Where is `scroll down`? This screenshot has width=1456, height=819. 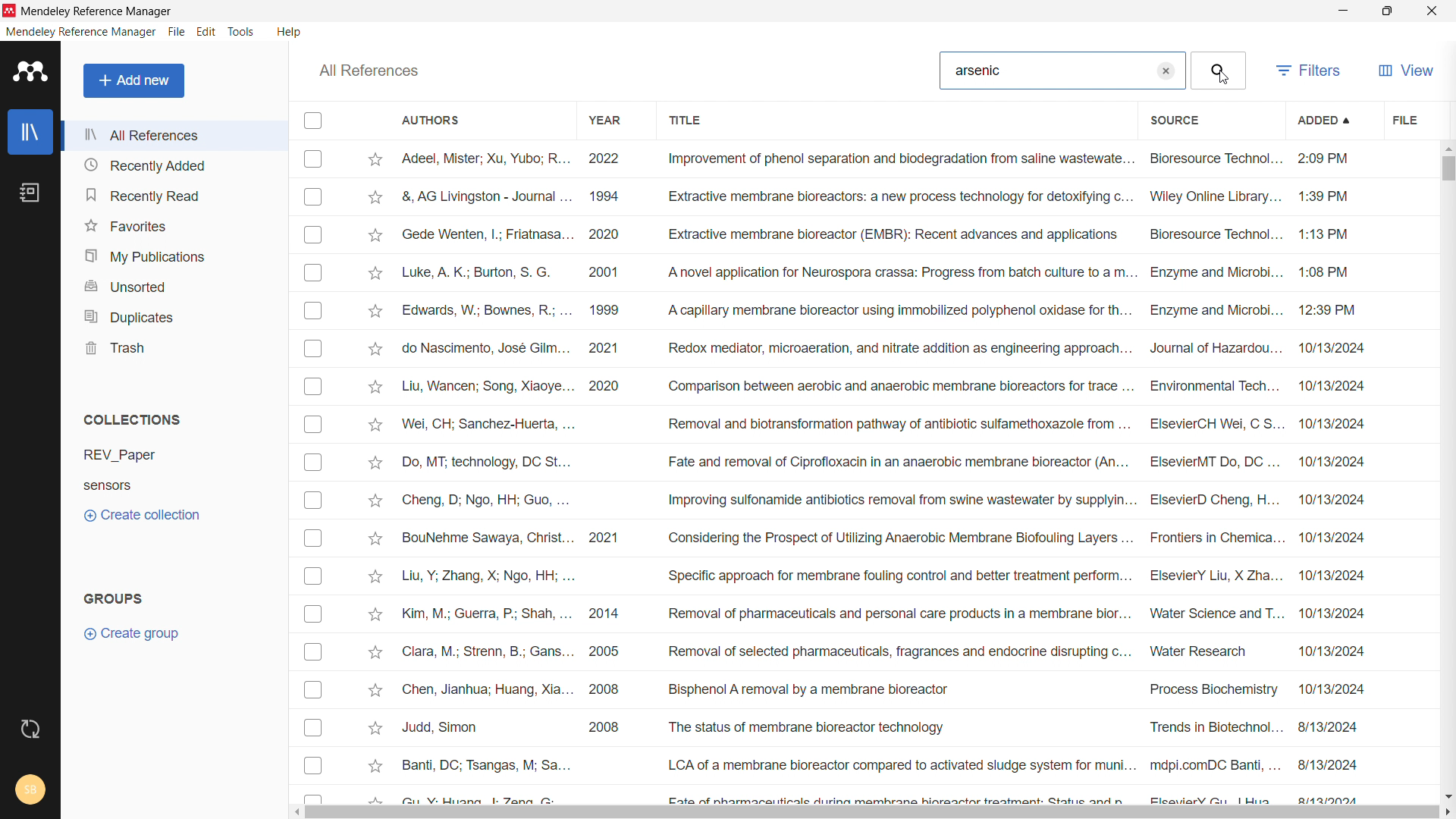
scroll down is located at coordinates (1447, 793).